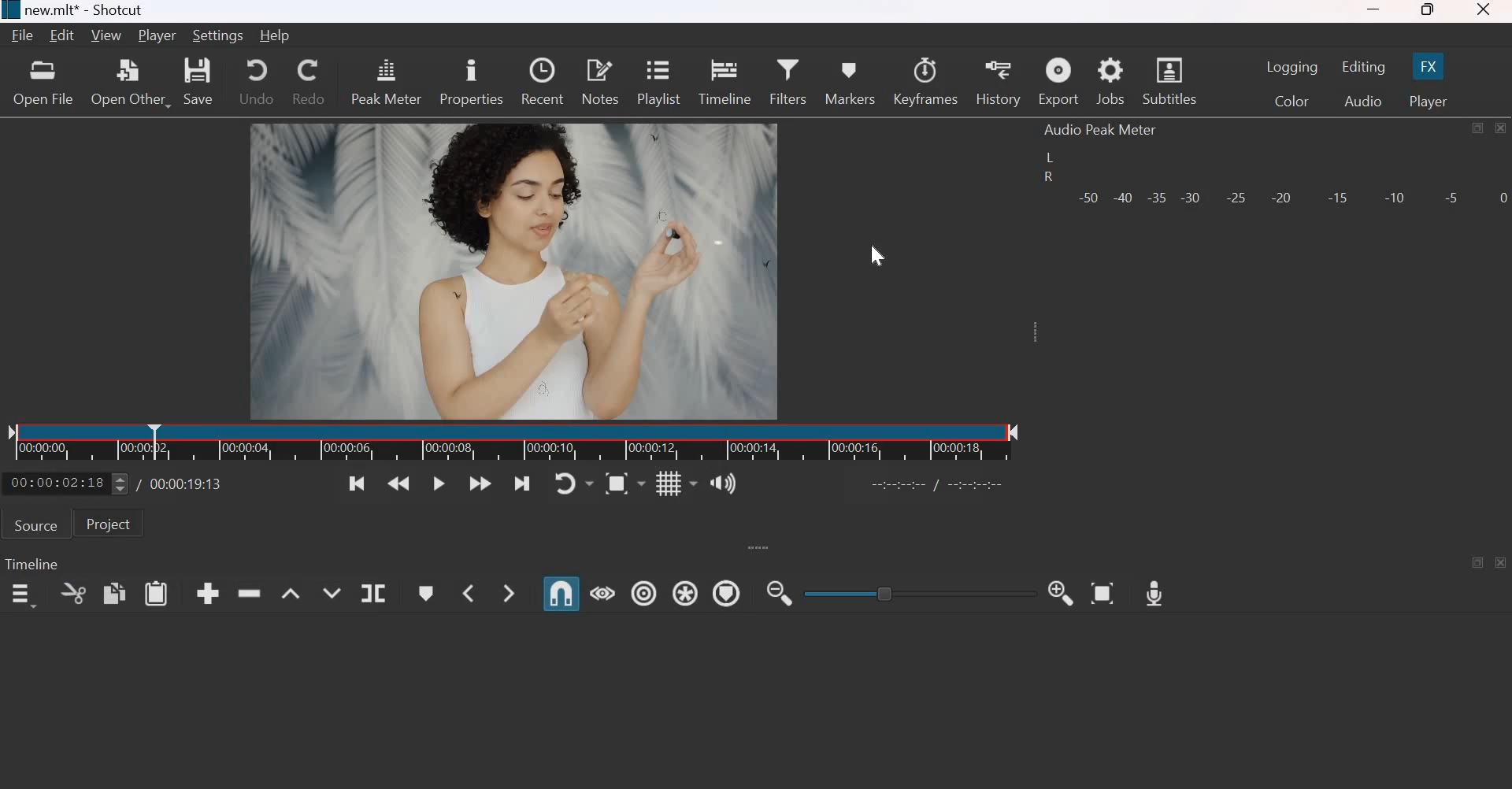 The image size is (1512, 789). I want to click on Notes, so click(600, 81).